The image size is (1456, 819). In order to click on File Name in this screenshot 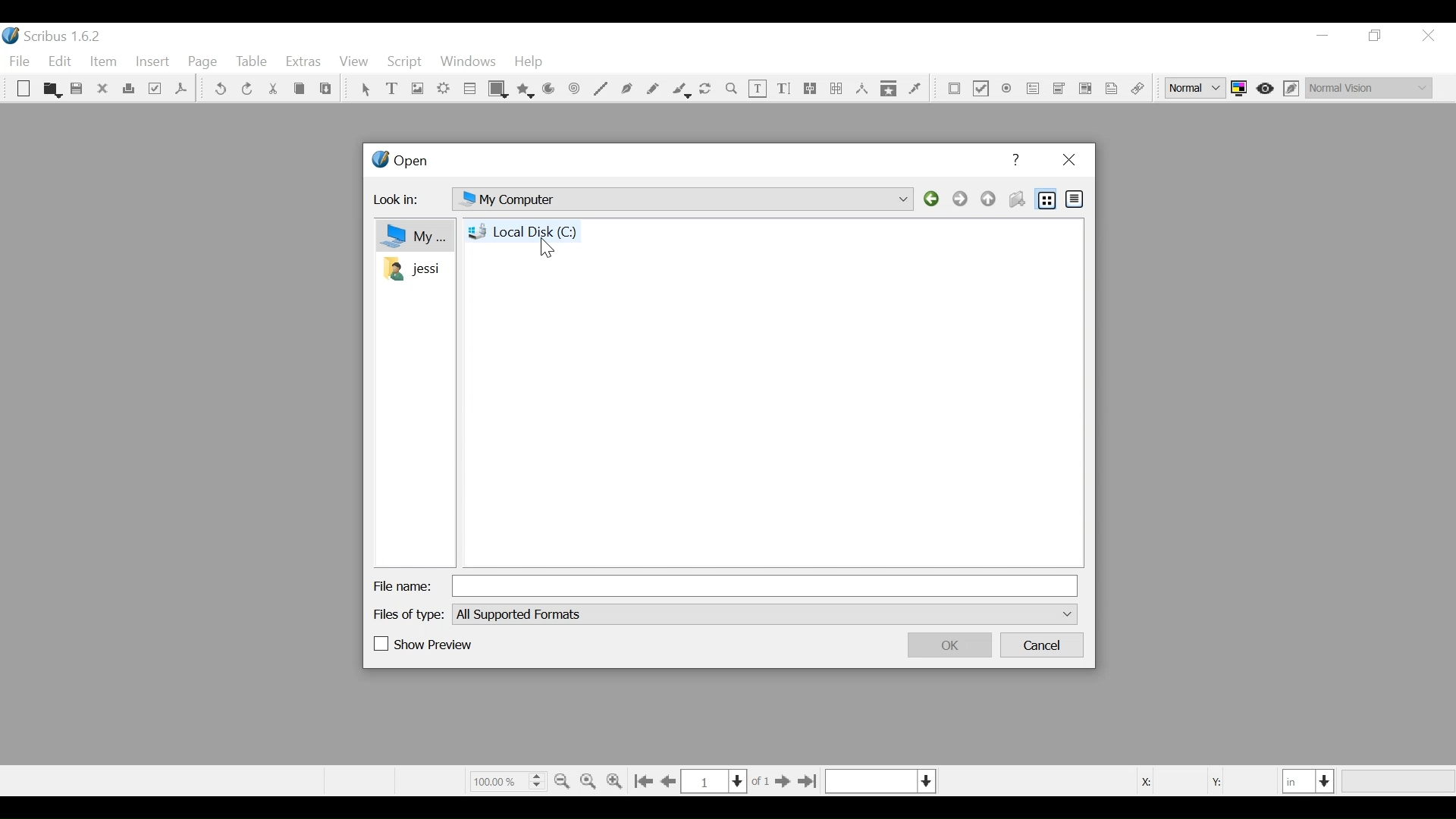, I will do `click(403, 586)`.